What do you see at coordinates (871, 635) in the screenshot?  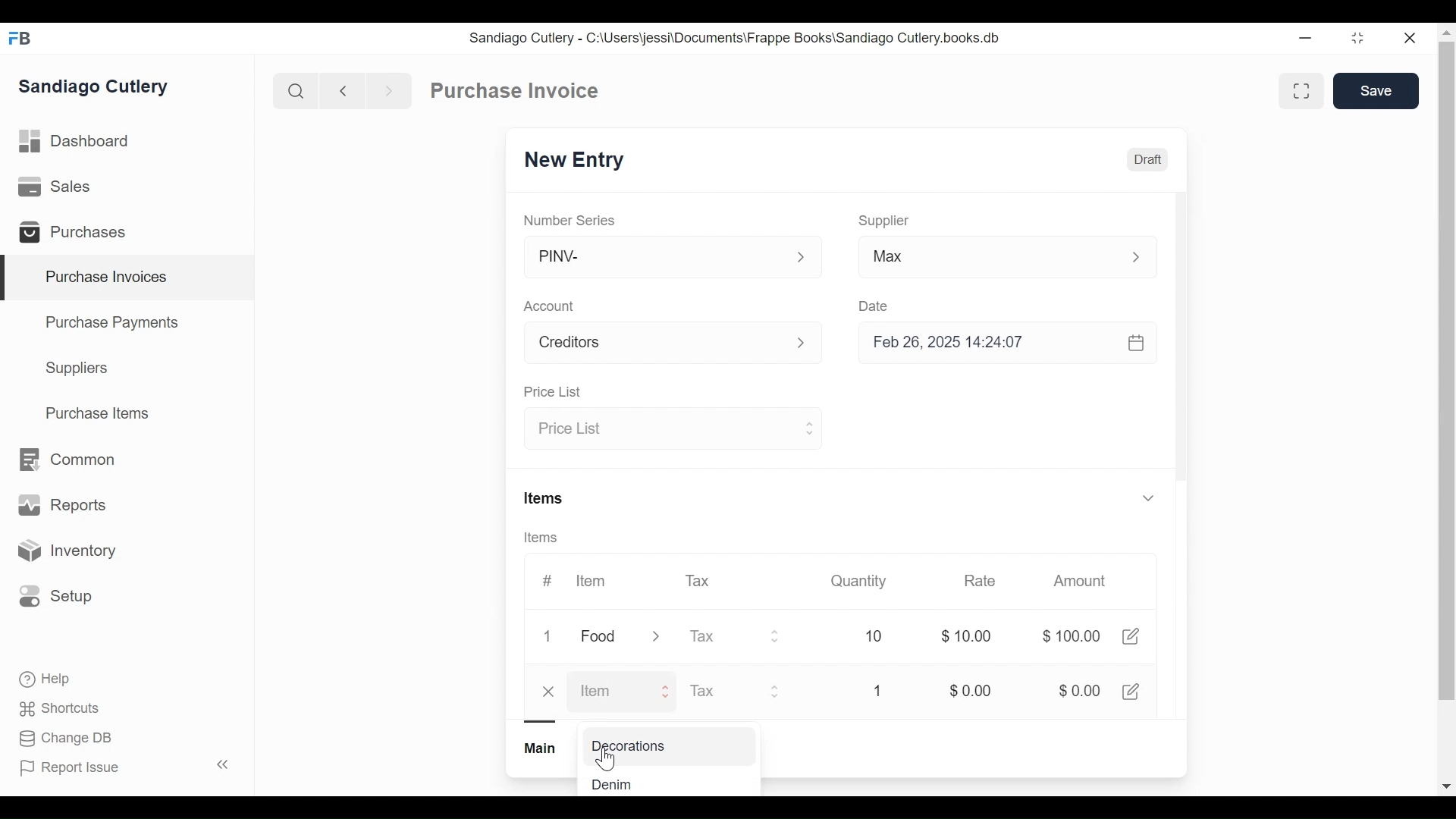 I see `10` at bounding box center [871, 635].